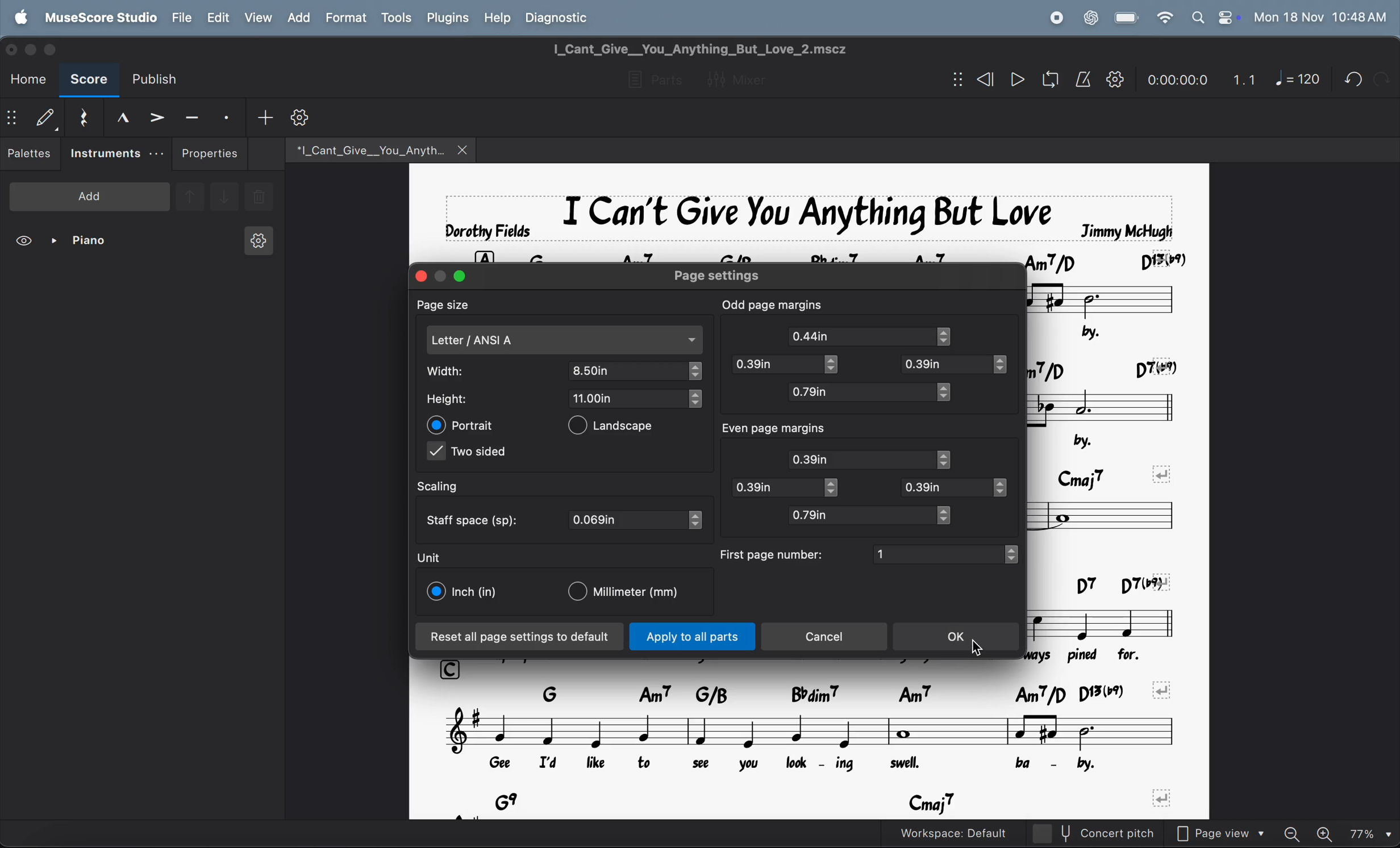  I want to click on scaling, so click(449, 487).